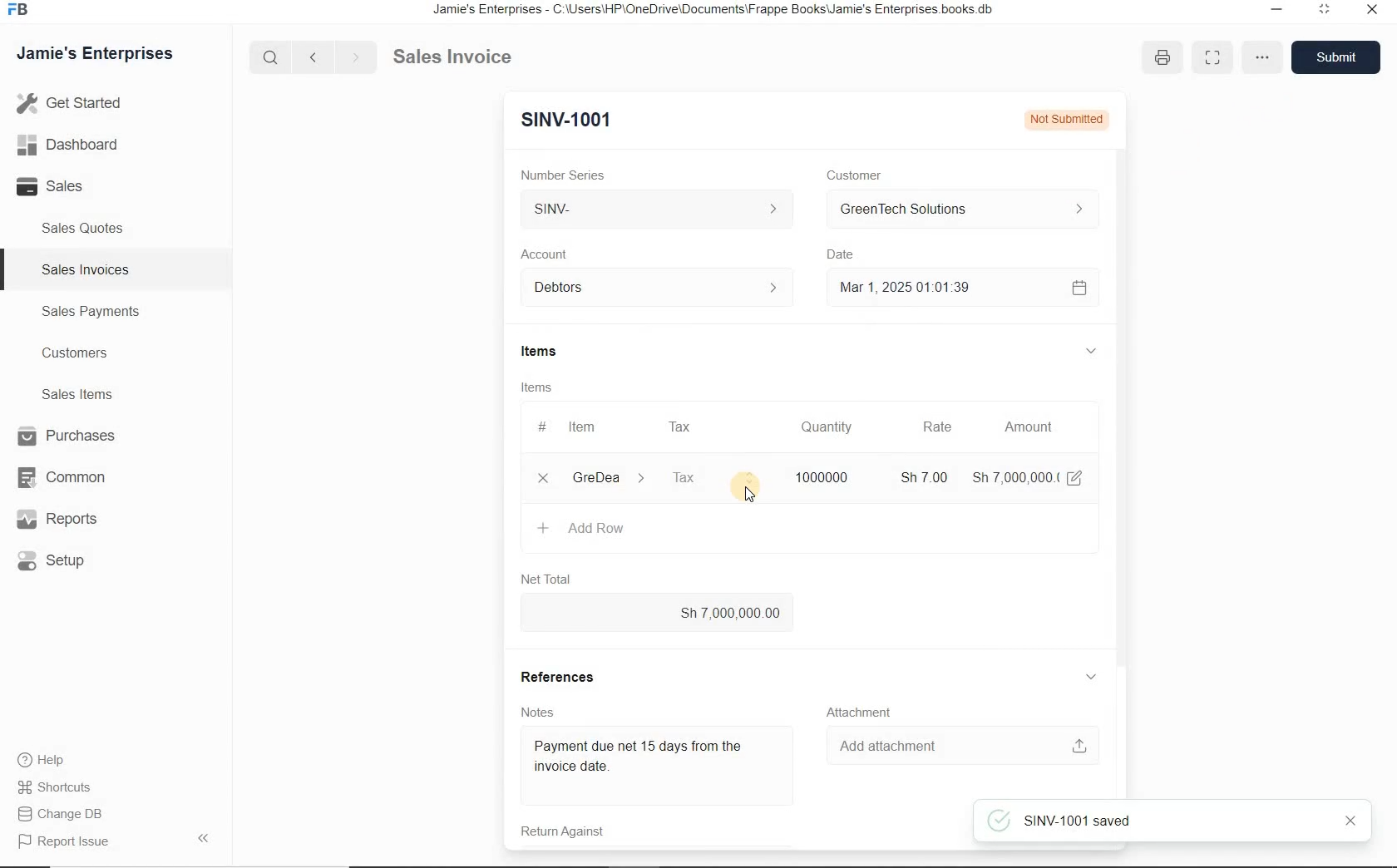  I want to click on Number Series, so click(559, 172).